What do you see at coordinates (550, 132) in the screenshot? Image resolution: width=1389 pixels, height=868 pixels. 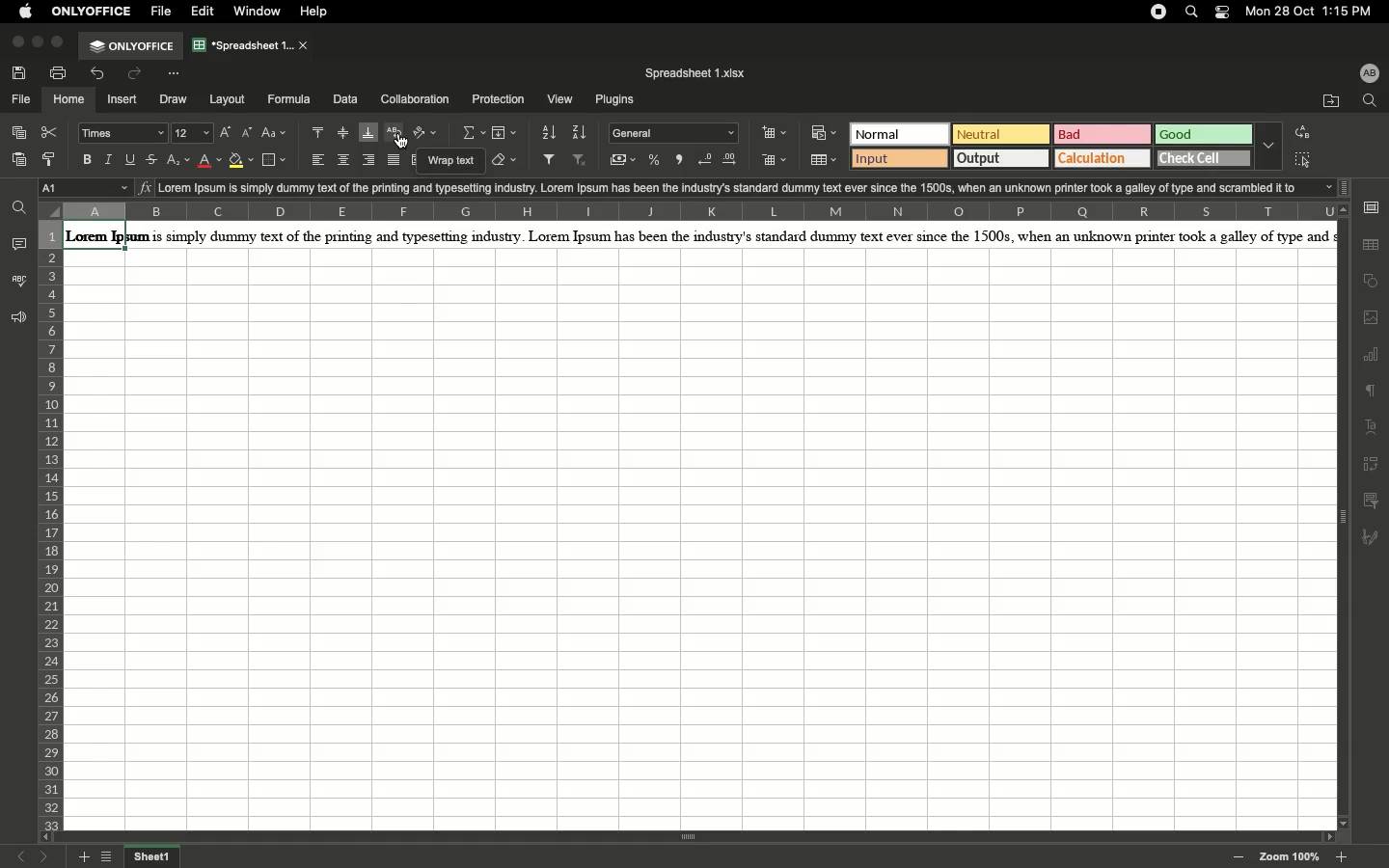 I see `Sort ascending` at bounding box center [550, 132].